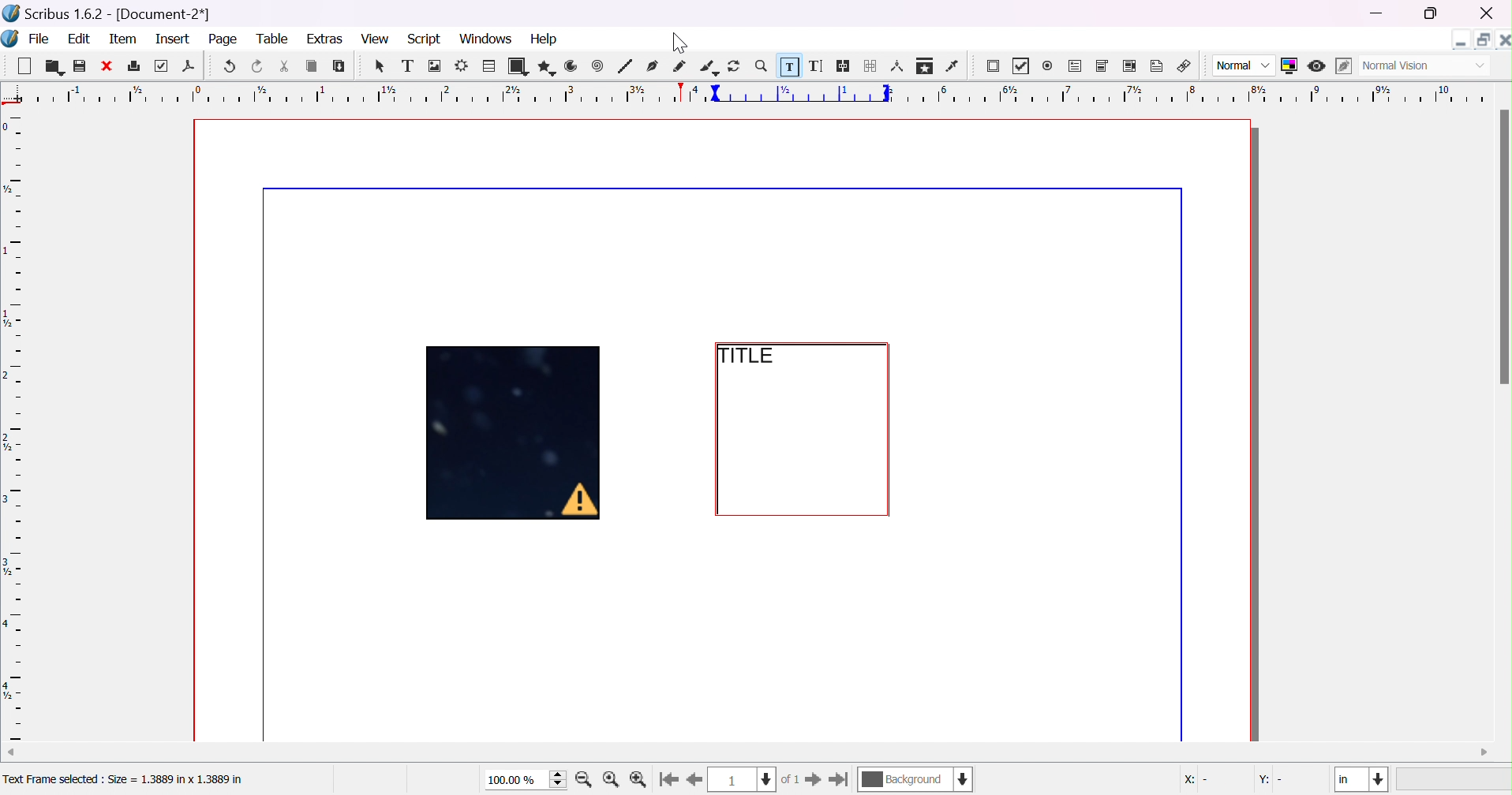 The width and height of the screenshot is (1512, 795). I want to click on current page, so click(757, 779).